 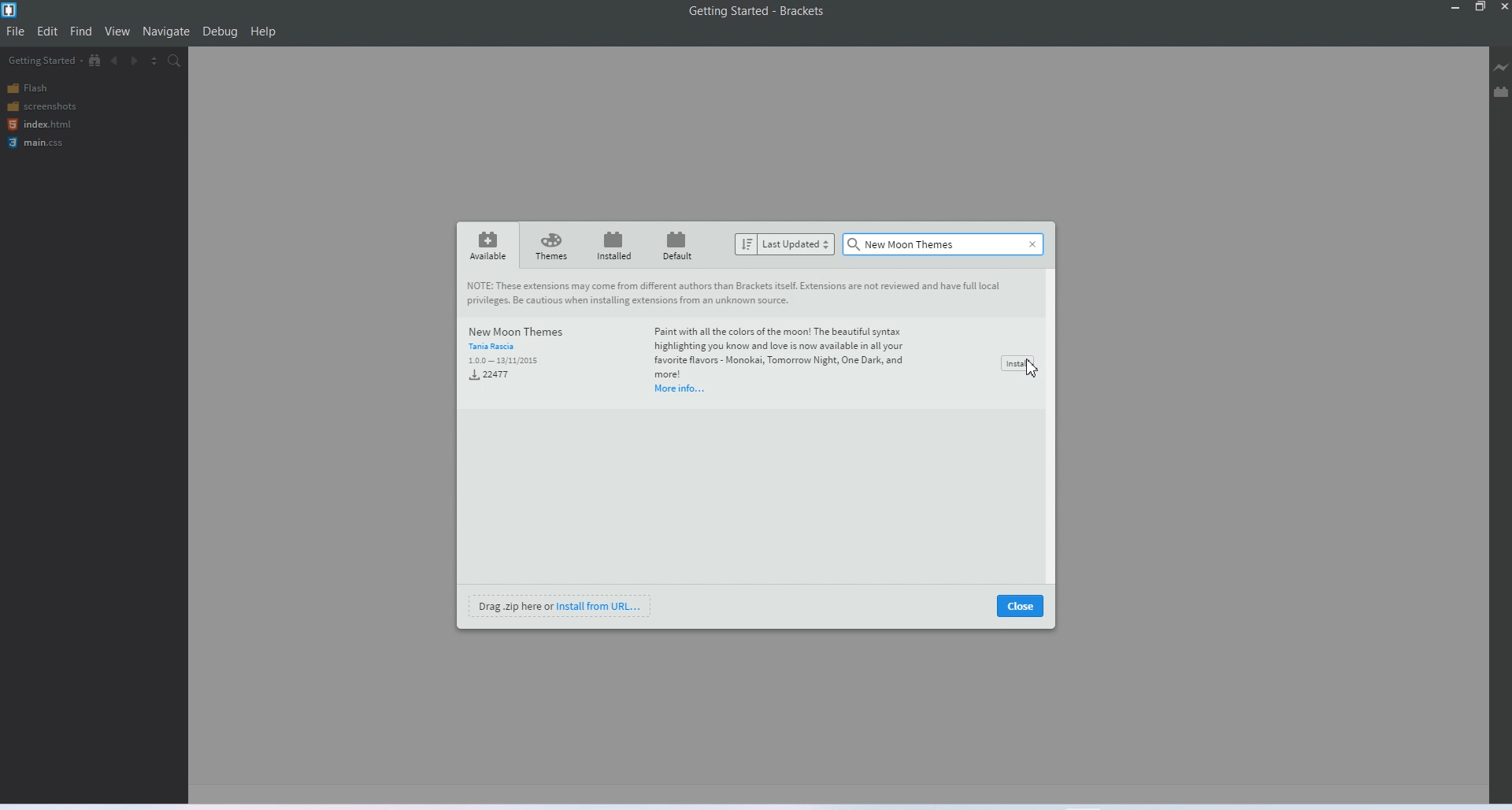 I want to click on Navigate forward, so click(x=135, y=60).